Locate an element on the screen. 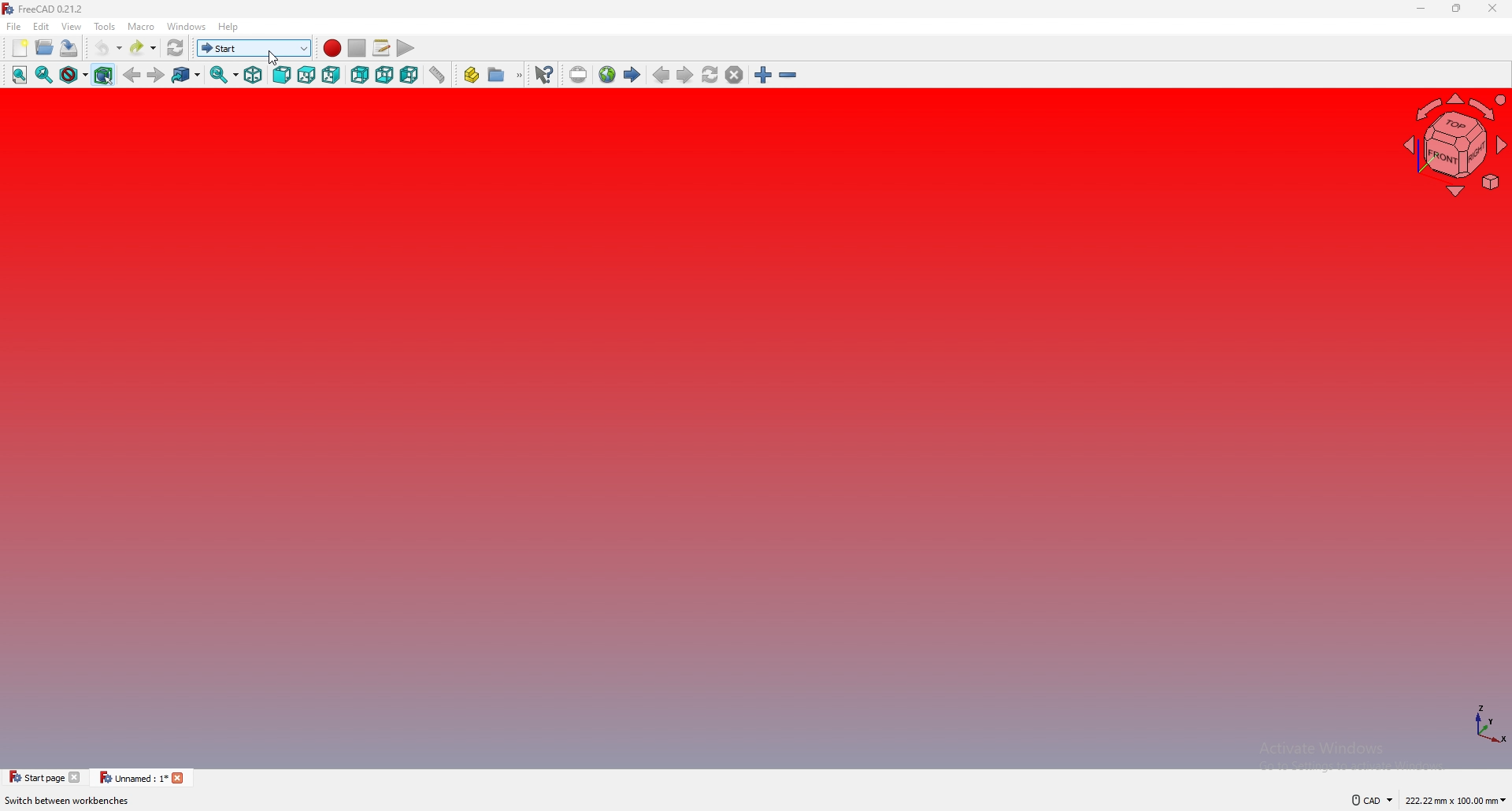 The width and height of the screenshot is (1512, 811). next page is located at coordinates (685, 75).